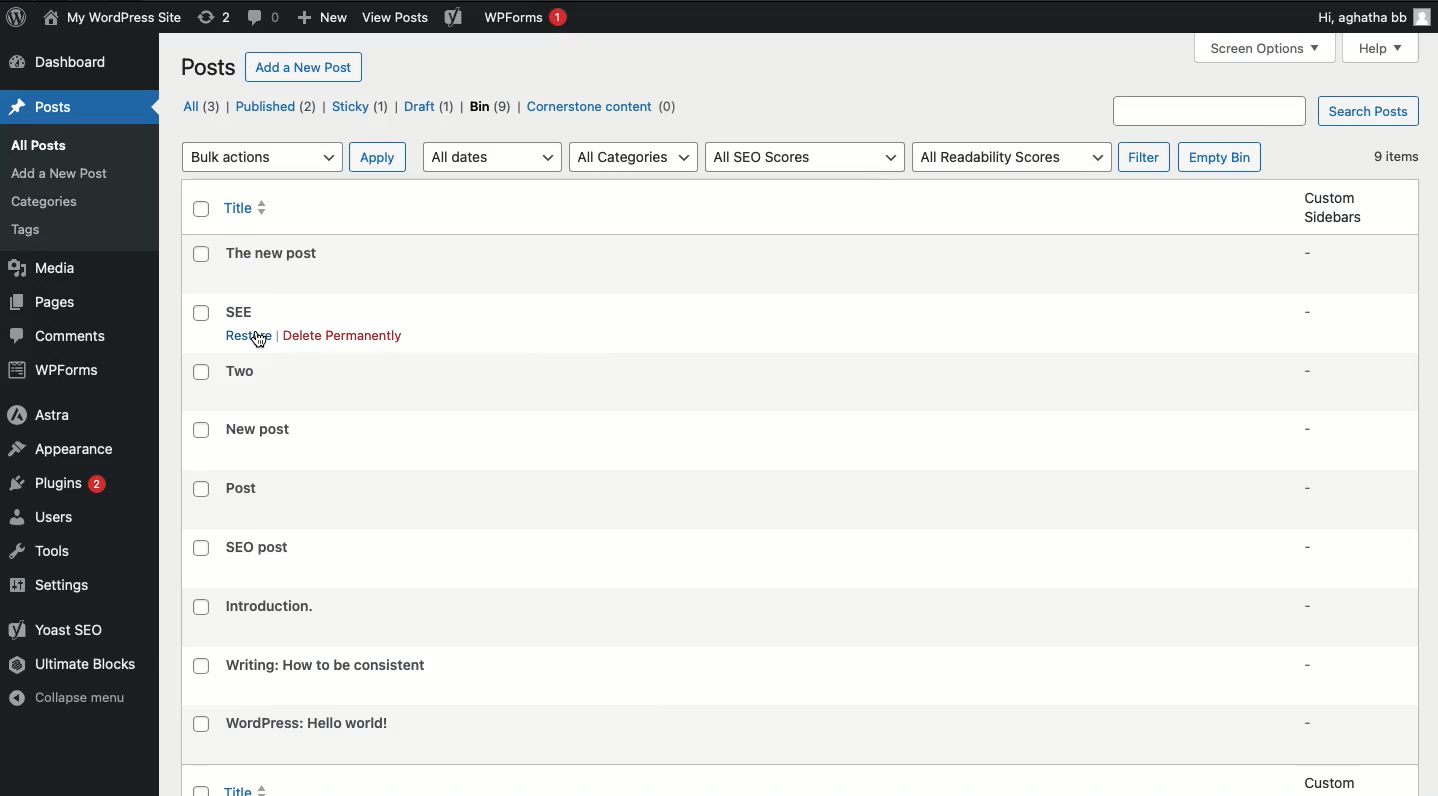 This screenshot has height=796, width=1438. I want to click on Plugins, so click(57, 484).